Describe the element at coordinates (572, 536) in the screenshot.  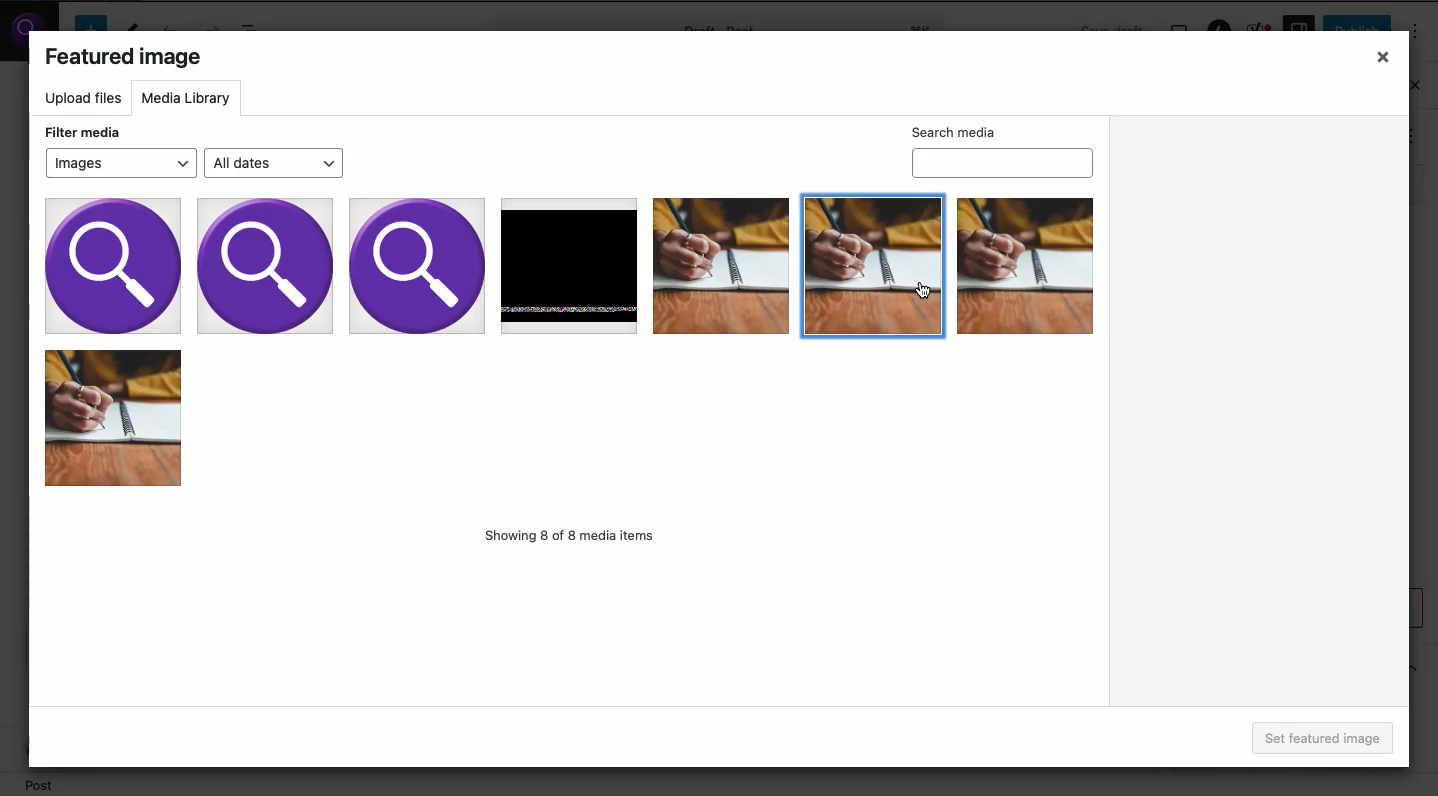
I see `Showing 8 of 8 media items ` at that location.